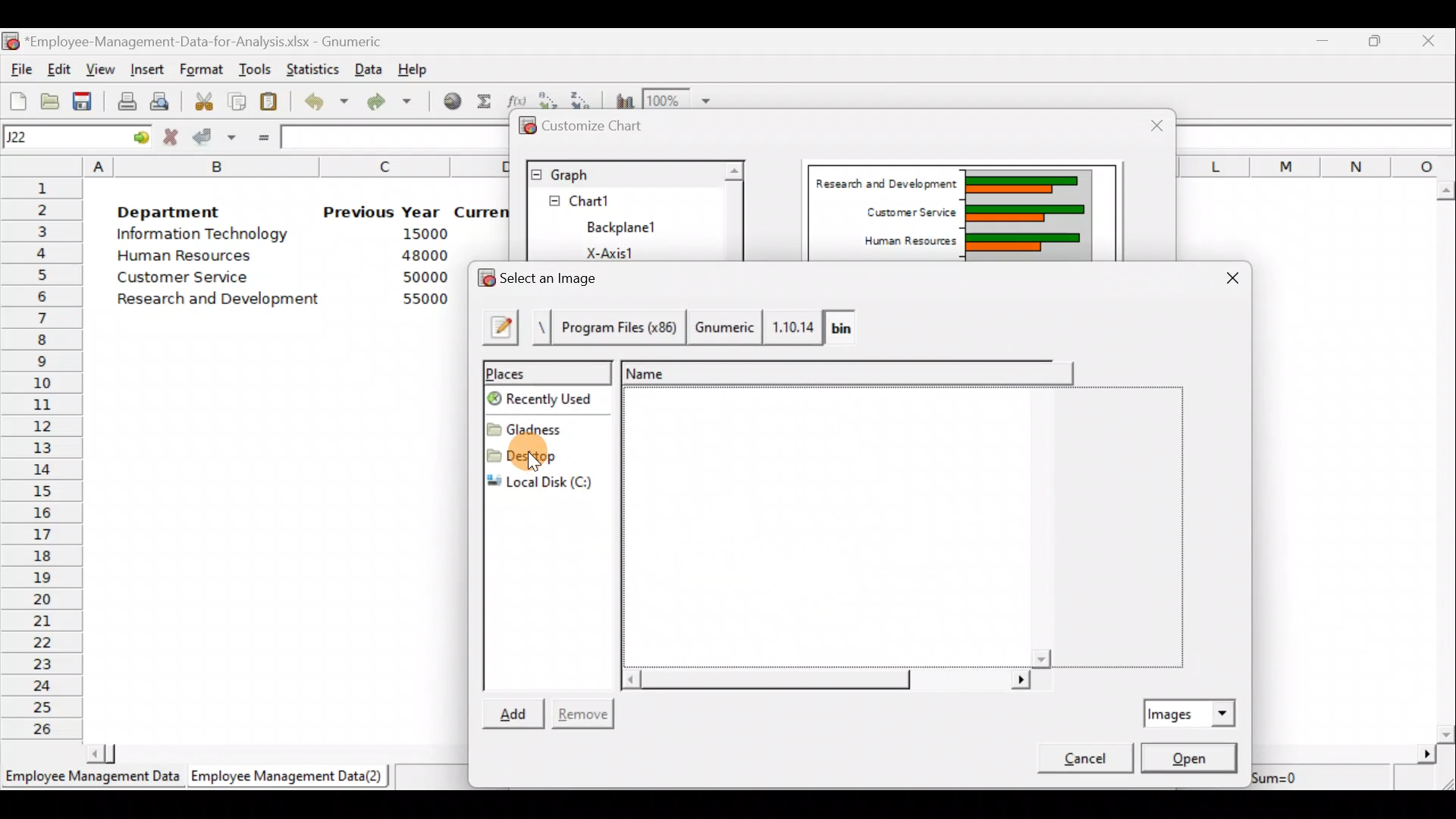  I want to click on Undo last action, so click(328, 105).